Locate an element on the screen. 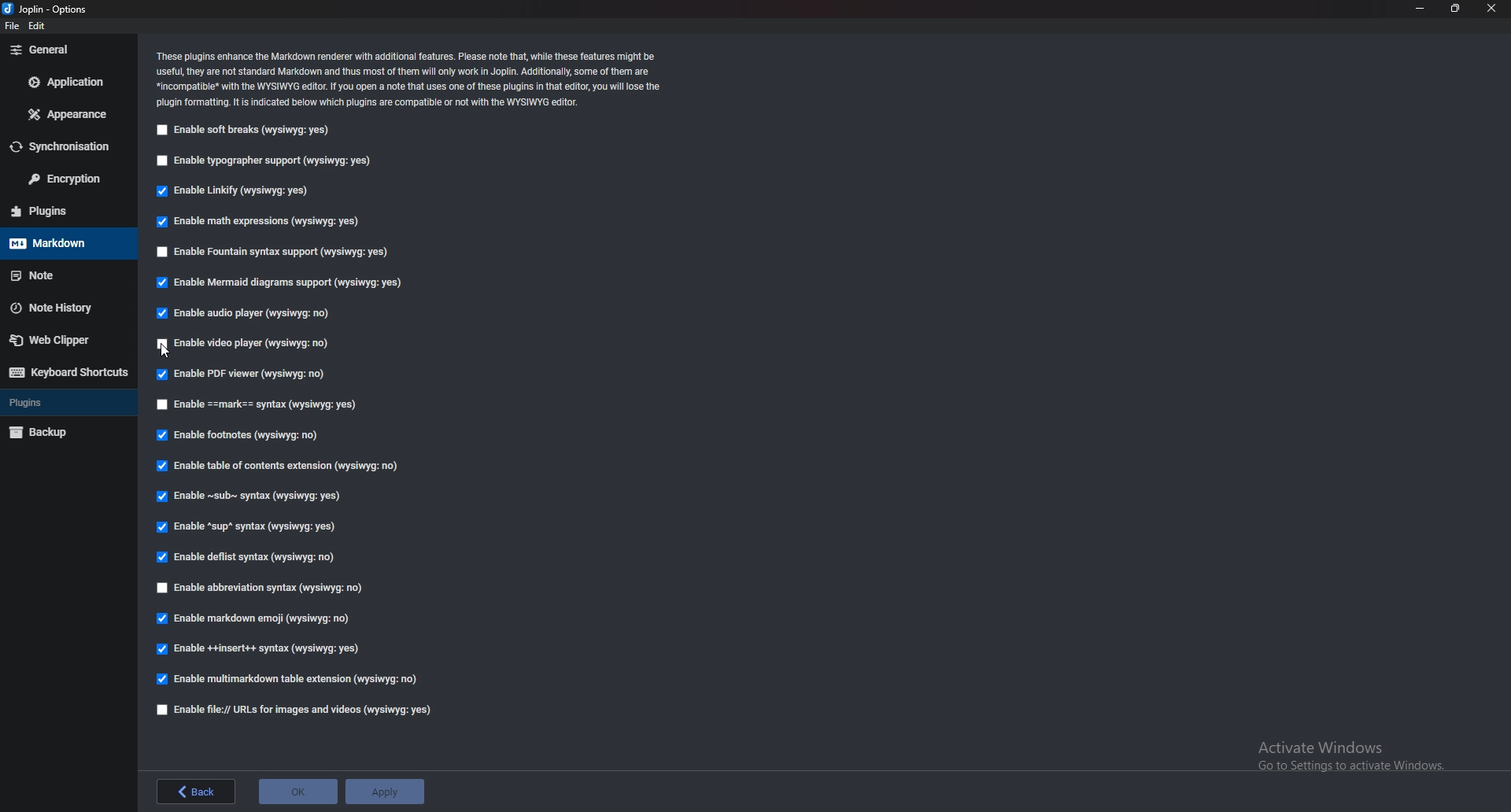 Image resolution: width=1511 pixels, height=812 pixels. enable abbreviation syntax is located at coordinates (273, 590).